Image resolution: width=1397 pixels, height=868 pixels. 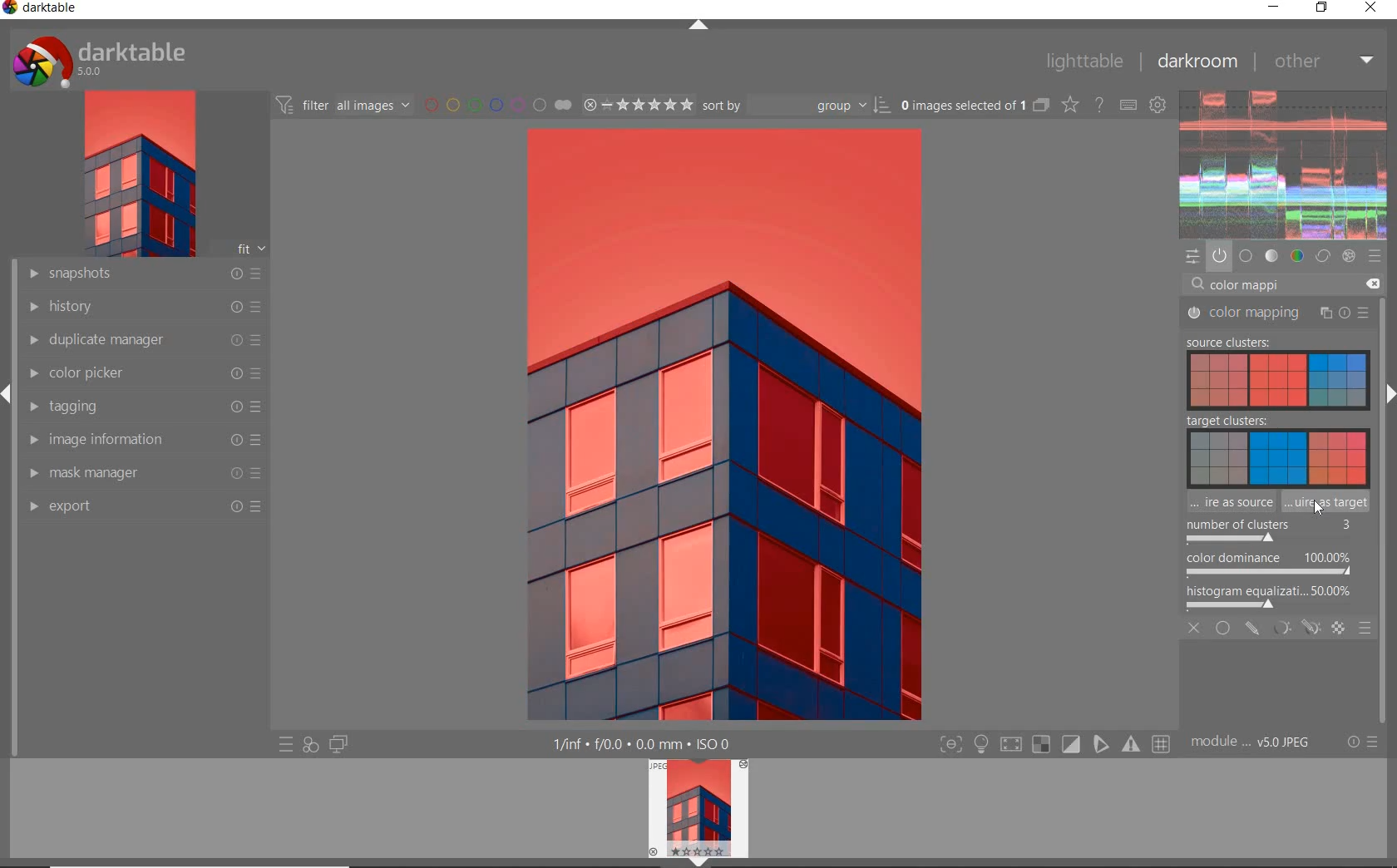 I want to click on change type of overlay, so click(x=1069, y=105).